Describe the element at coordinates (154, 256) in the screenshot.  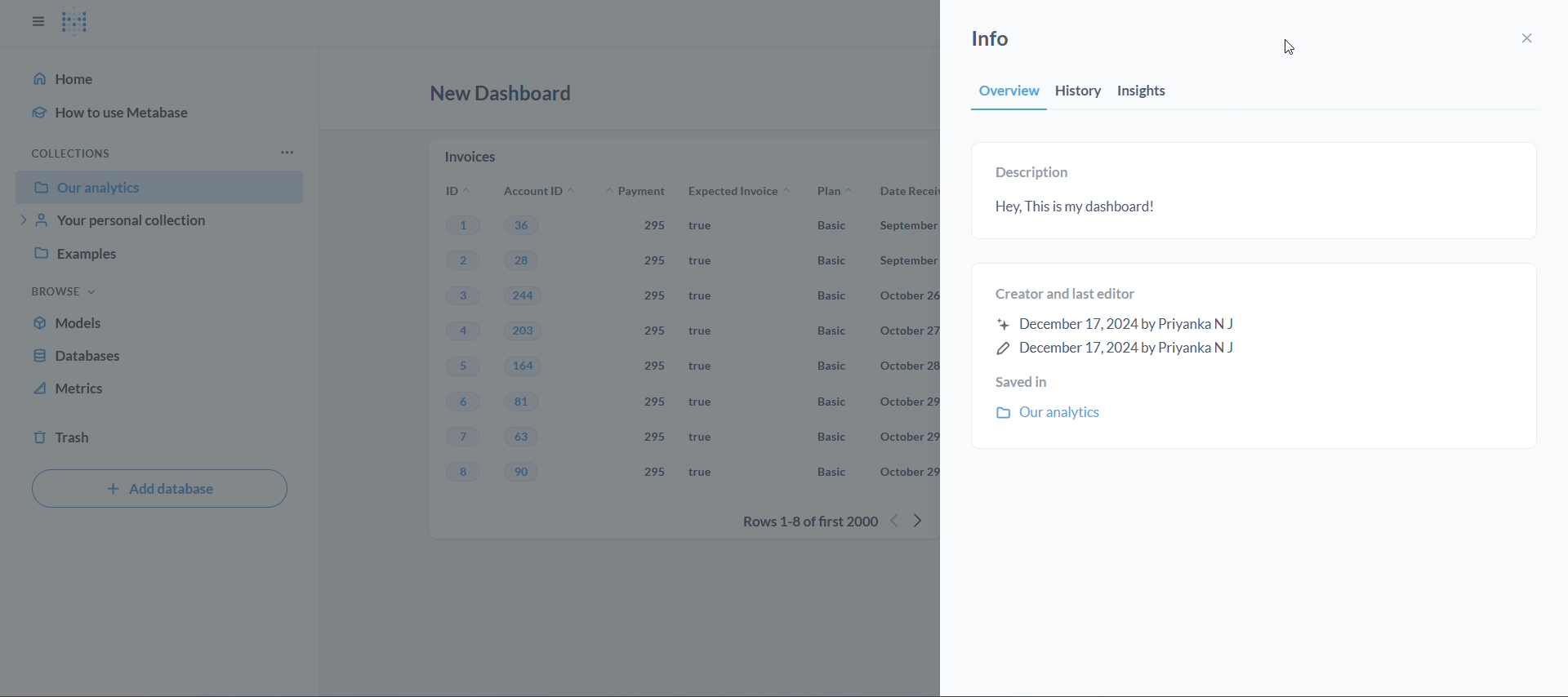
I see `examples` at that location.